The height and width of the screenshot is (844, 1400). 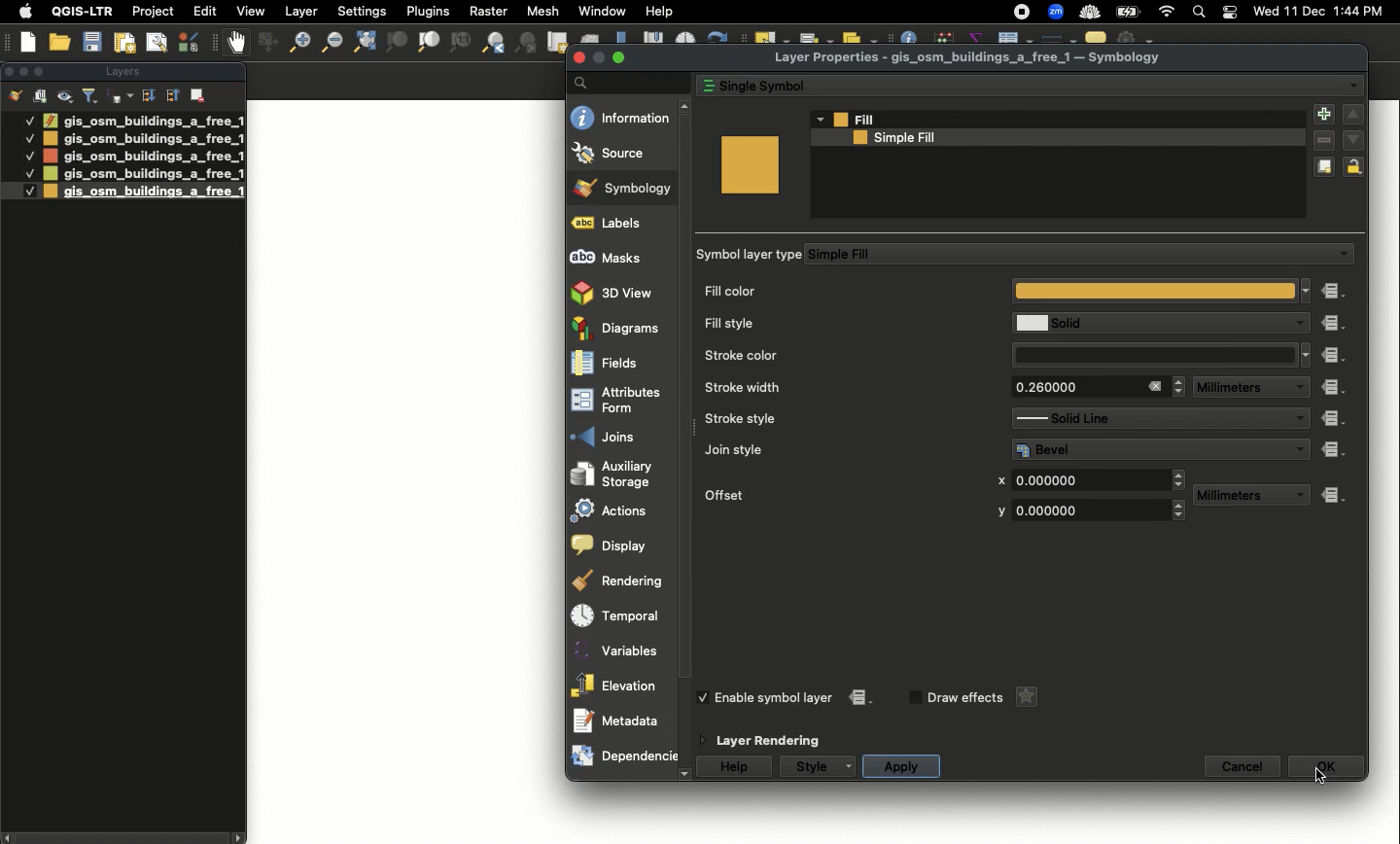 I want to click on Checked, so click(x=29, y=156).